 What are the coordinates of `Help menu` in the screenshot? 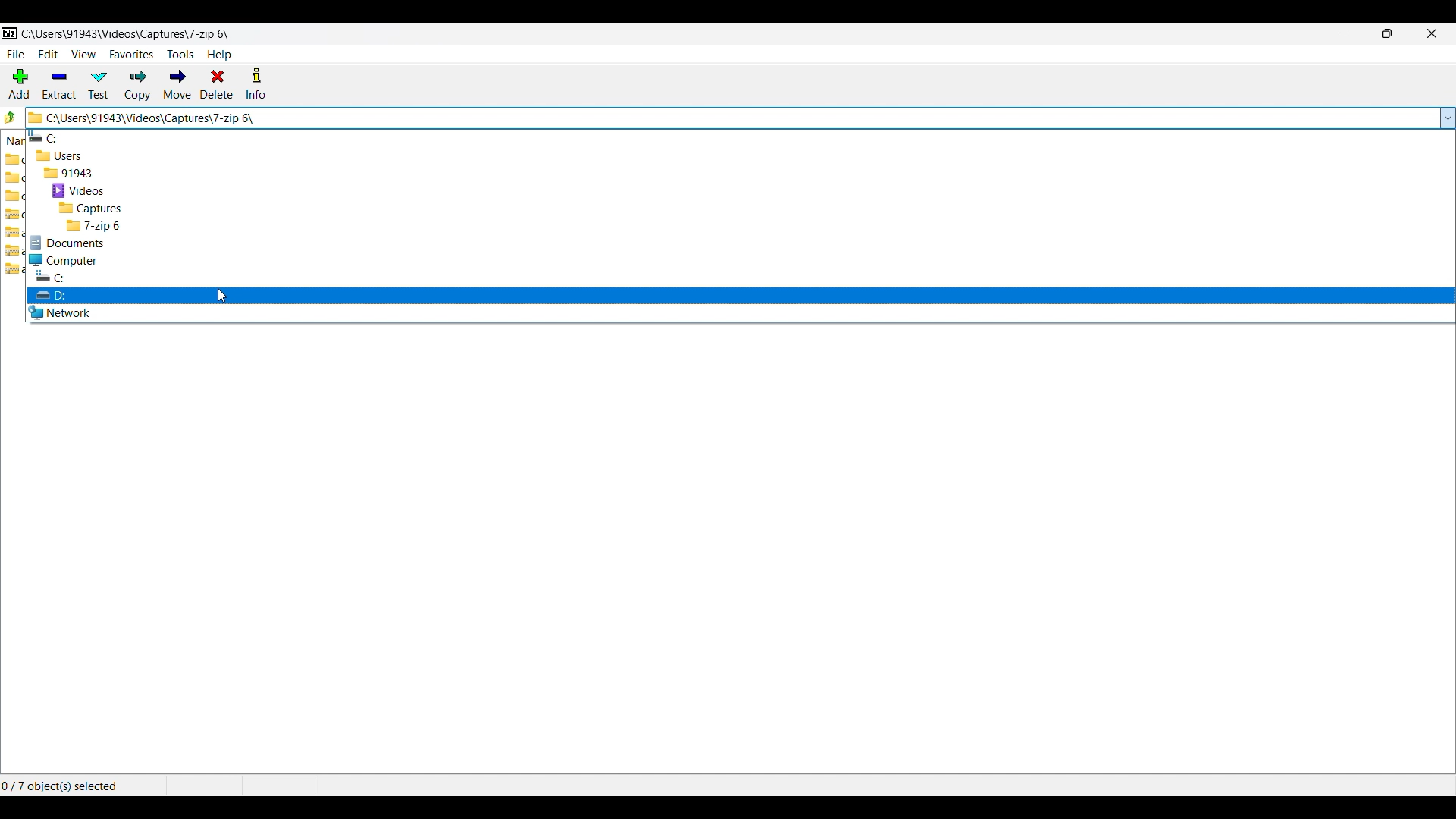 It's located at (219, 55).